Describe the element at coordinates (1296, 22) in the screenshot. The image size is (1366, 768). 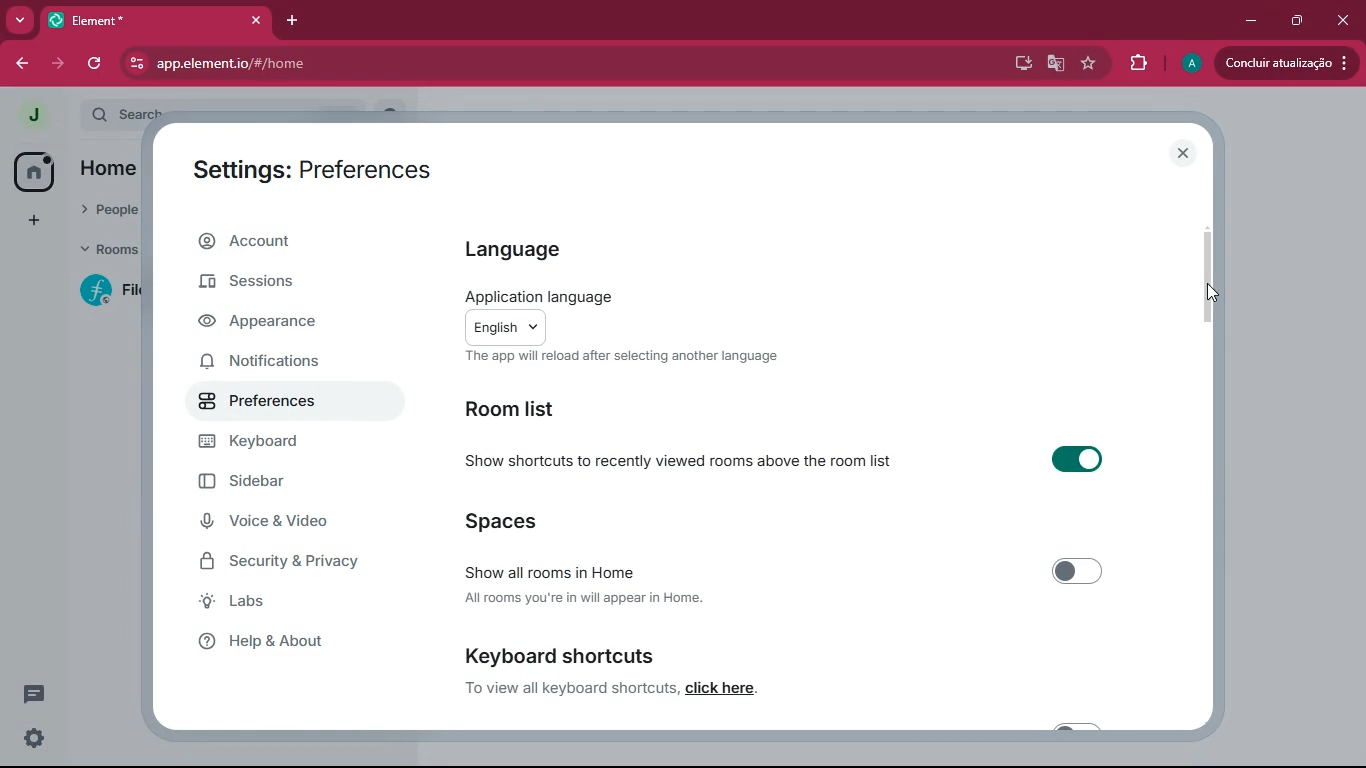
I see `restore down` at that location.